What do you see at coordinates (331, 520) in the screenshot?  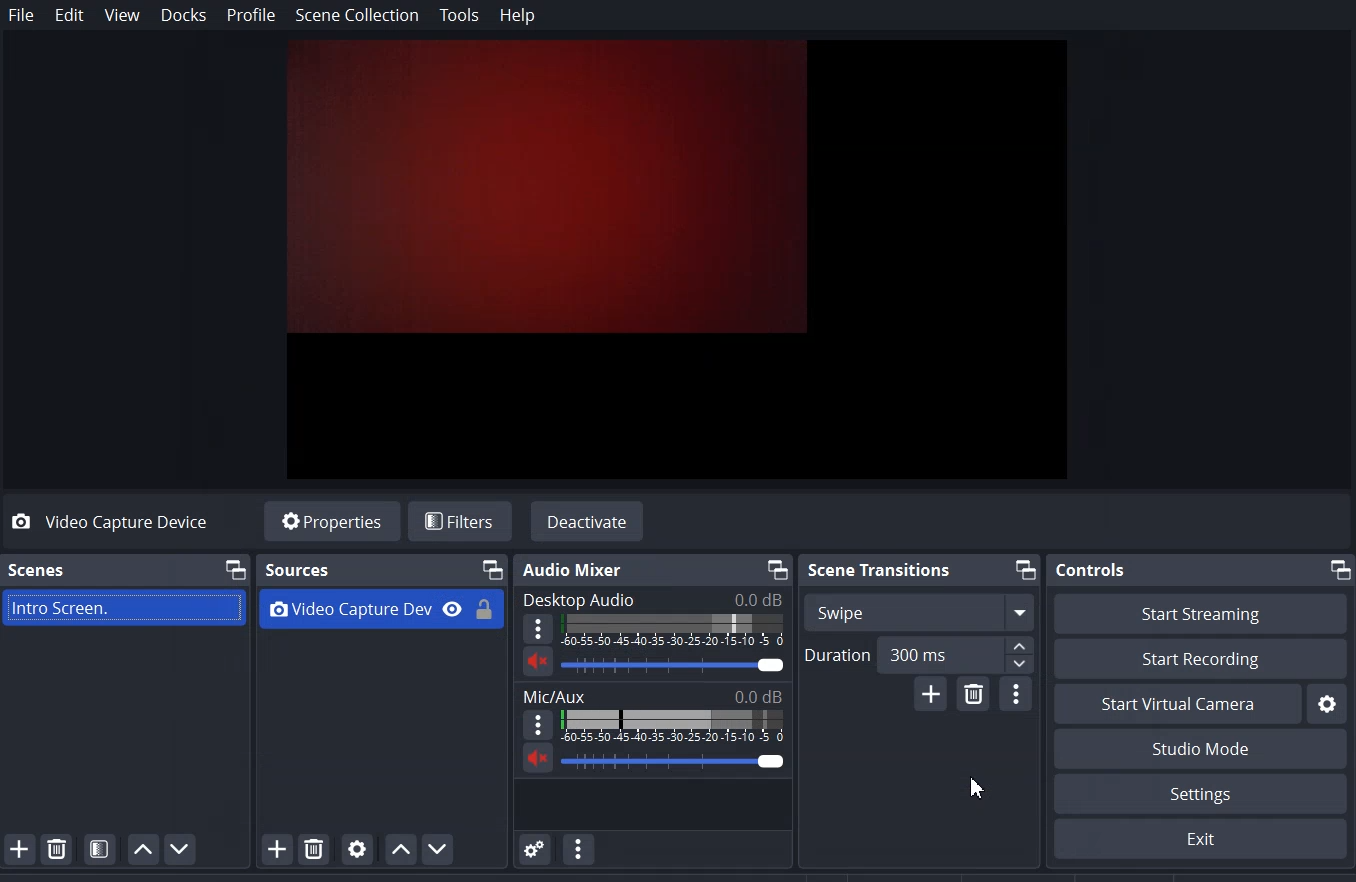 I see `Properties` at bounding box center [331, 520].